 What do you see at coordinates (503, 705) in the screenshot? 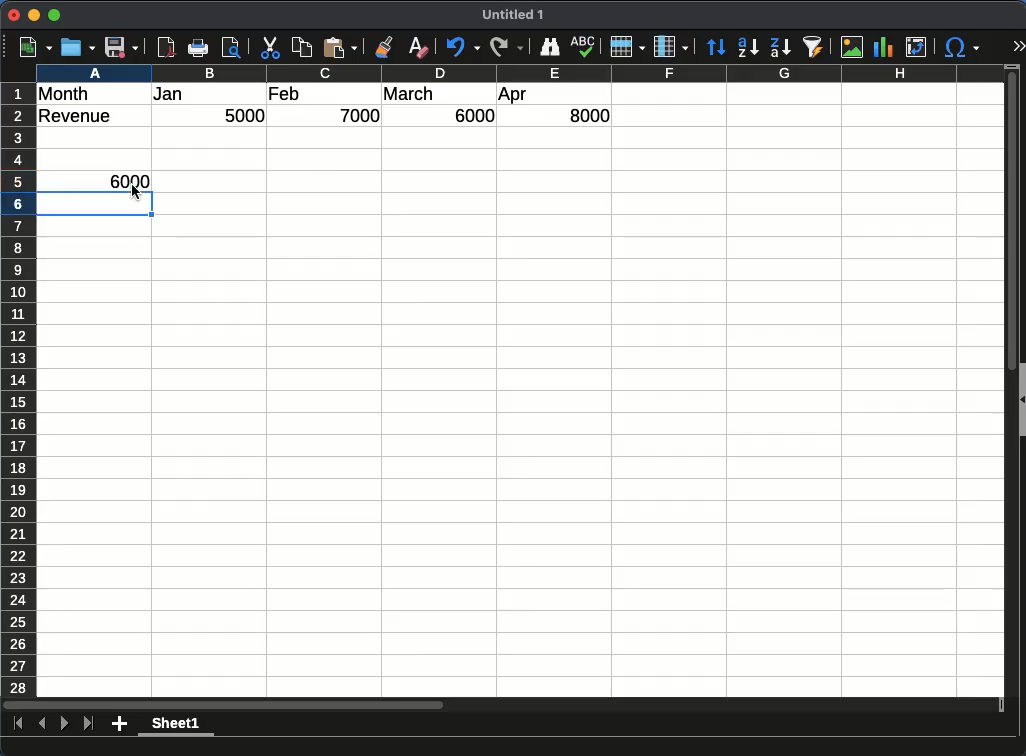
I see `Horizontal scroll` at bounding box center [503, 705].